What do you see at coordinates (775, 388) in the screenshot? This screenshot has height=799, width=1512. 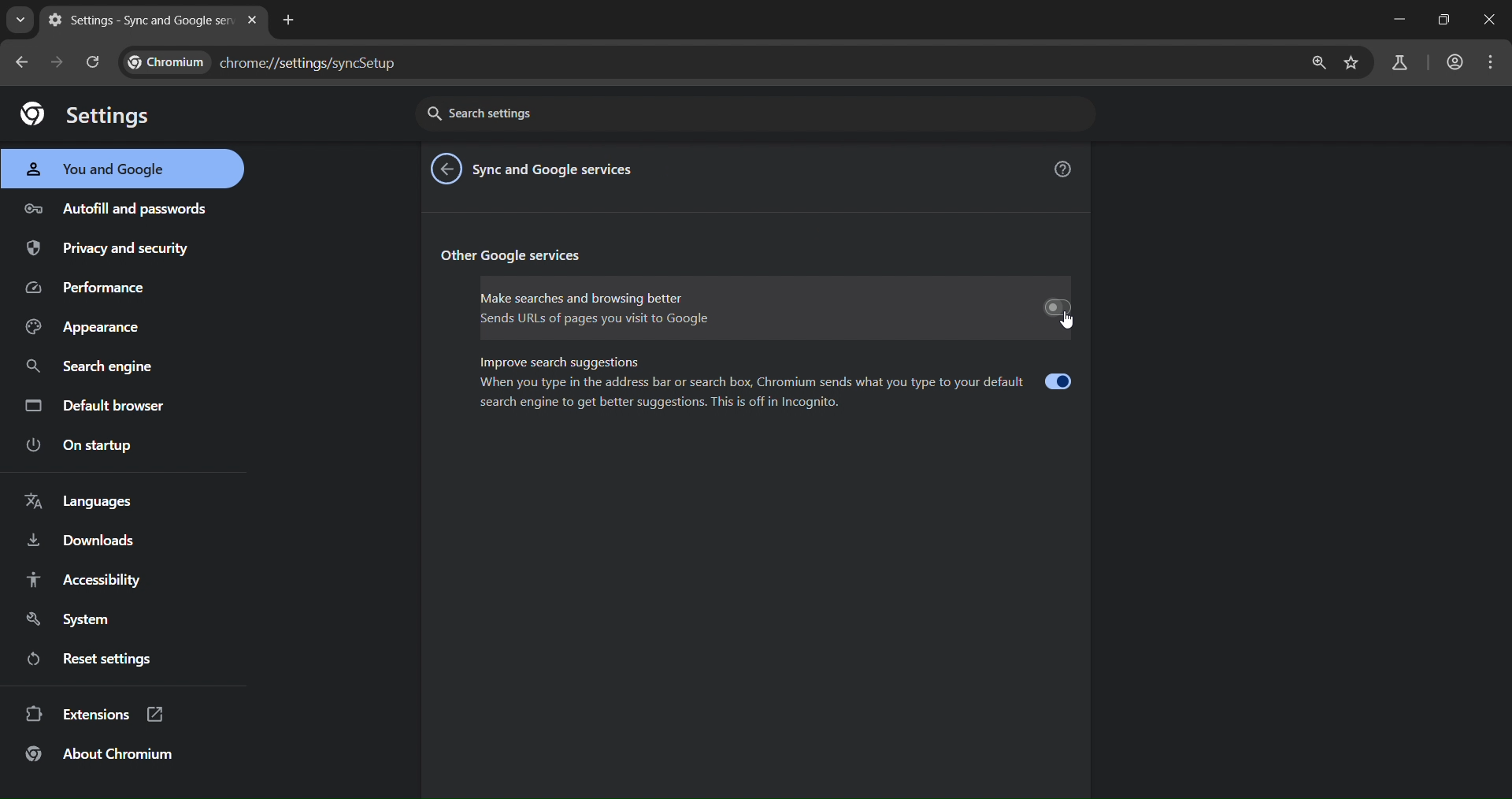 I see `Improve search suggestions
When you type in the address bar or search box, Chromium sends what you type to your default
search engine to get better suggestions. This is off in Incognito.` at bounding box center [775, 388].